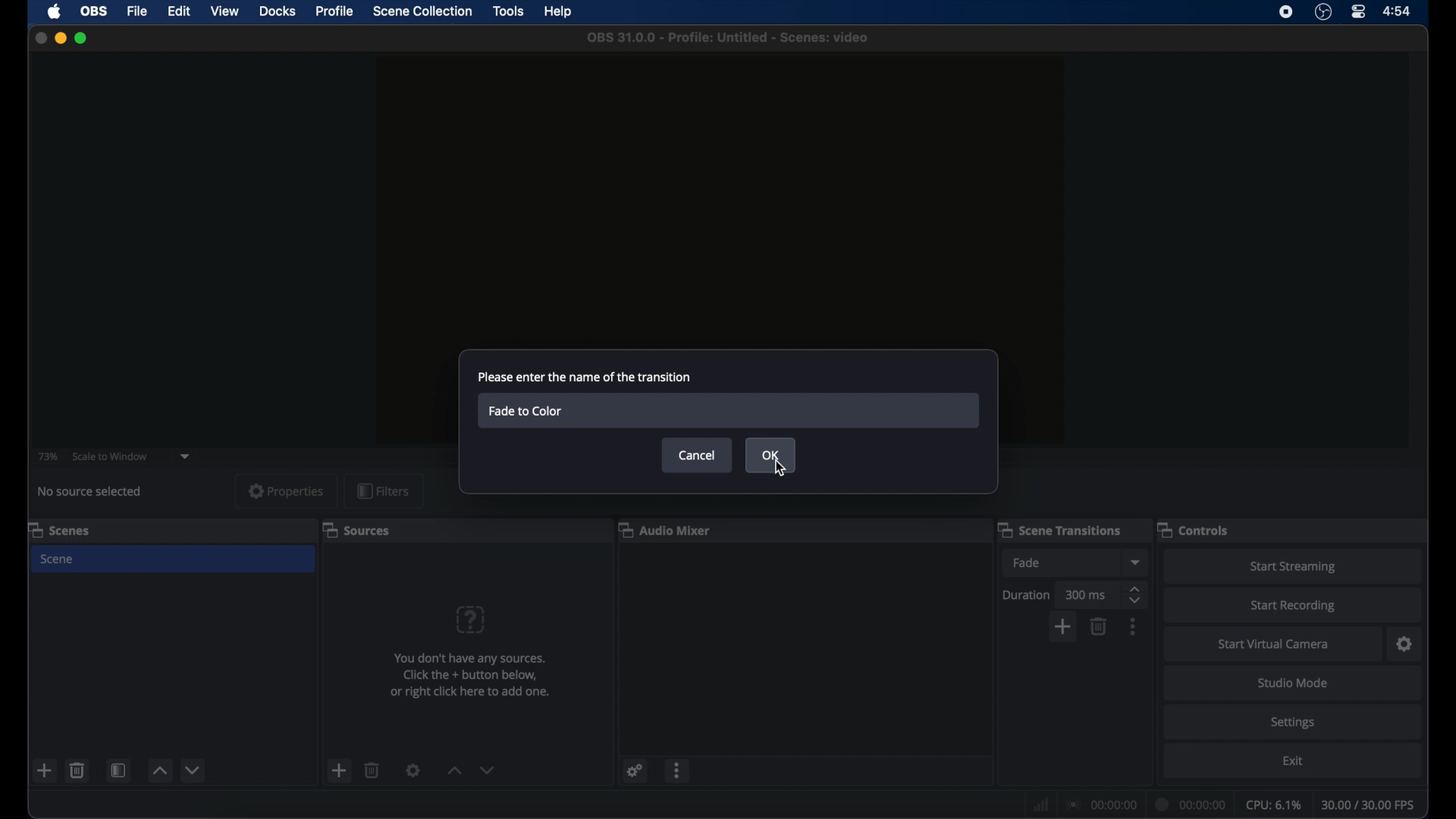 The width and height of the screenshot is (1456, 819). I want to click on question mark icon, so click(472, 620).